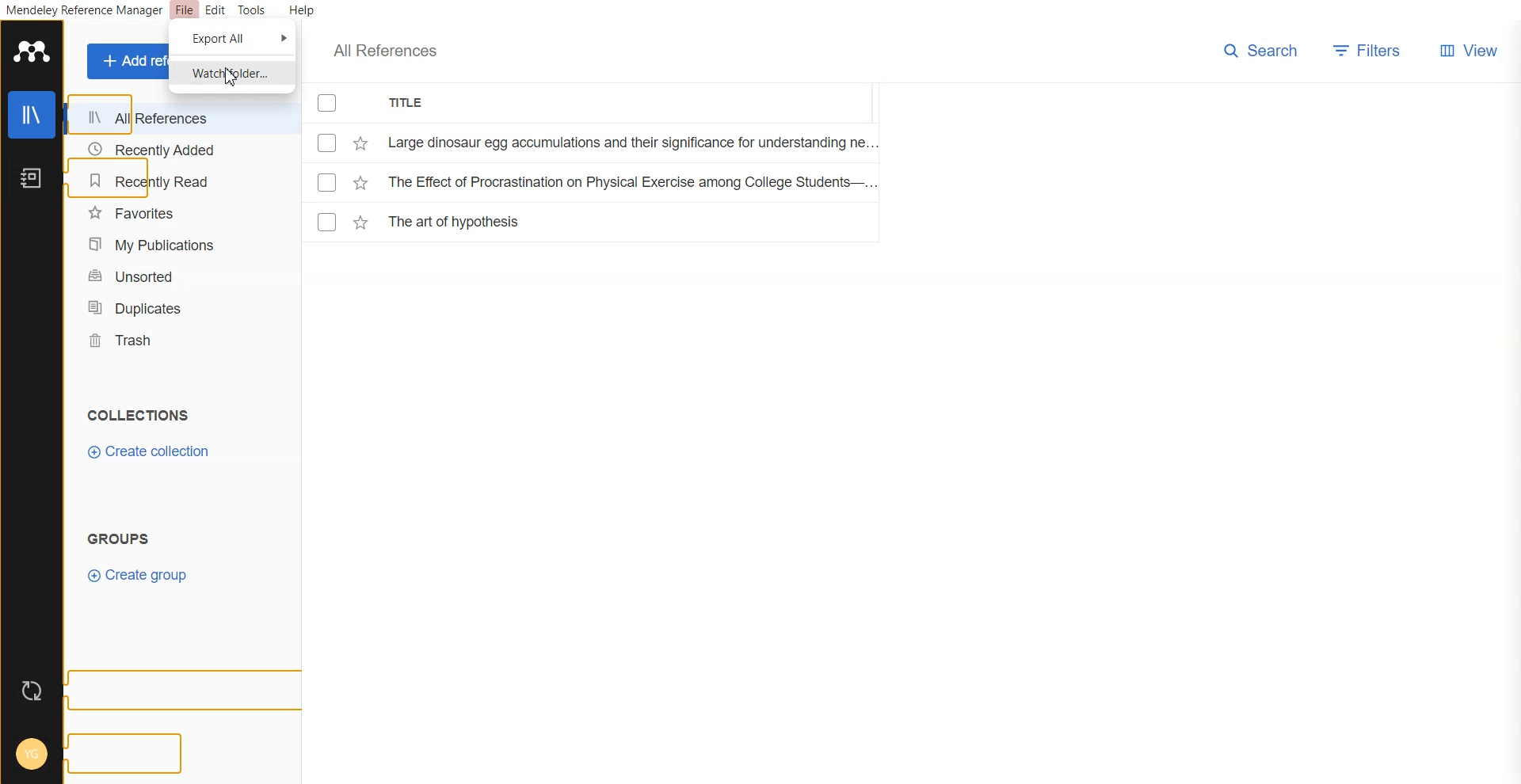  Describe the element at coordinates (234, 40) in the screenshot. I see `Export All` at that location.